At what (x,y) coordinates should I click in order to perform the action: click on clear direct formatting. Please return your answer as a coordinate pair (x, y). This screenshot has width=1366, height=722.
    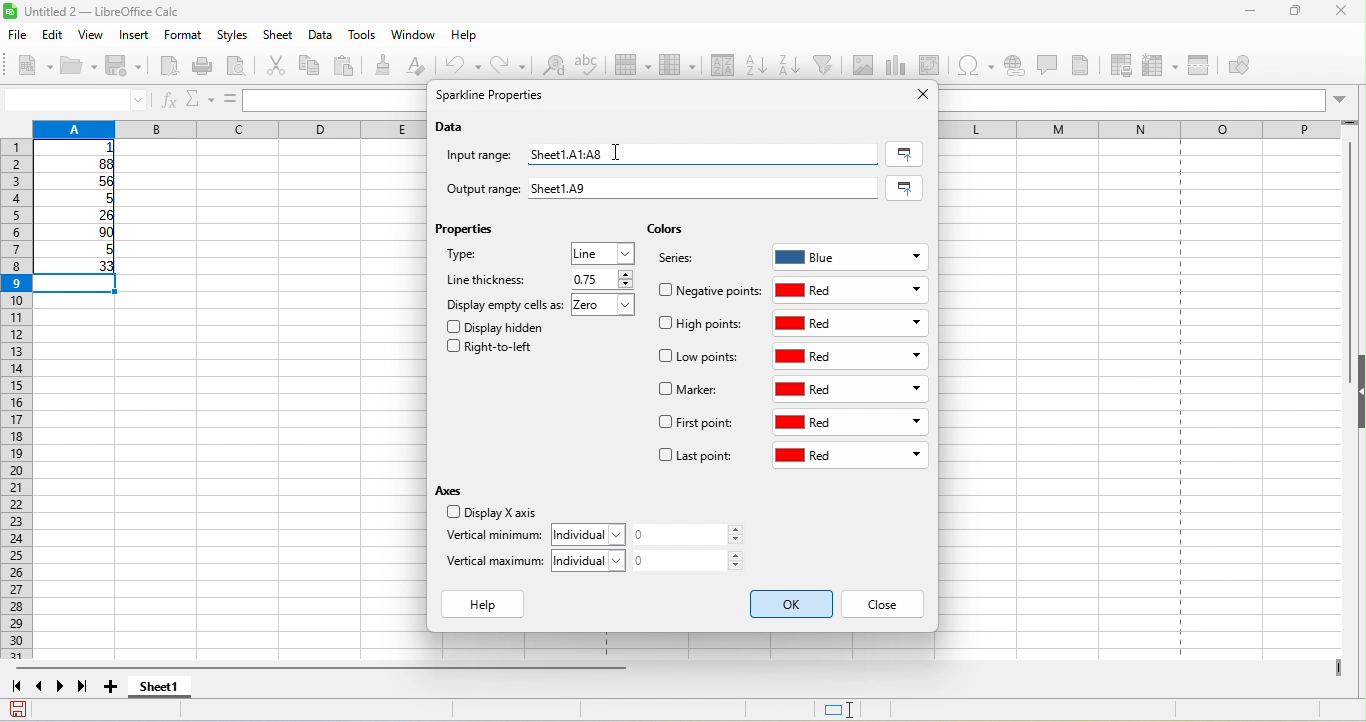
    Looking at the image, I should click on (421, 66).